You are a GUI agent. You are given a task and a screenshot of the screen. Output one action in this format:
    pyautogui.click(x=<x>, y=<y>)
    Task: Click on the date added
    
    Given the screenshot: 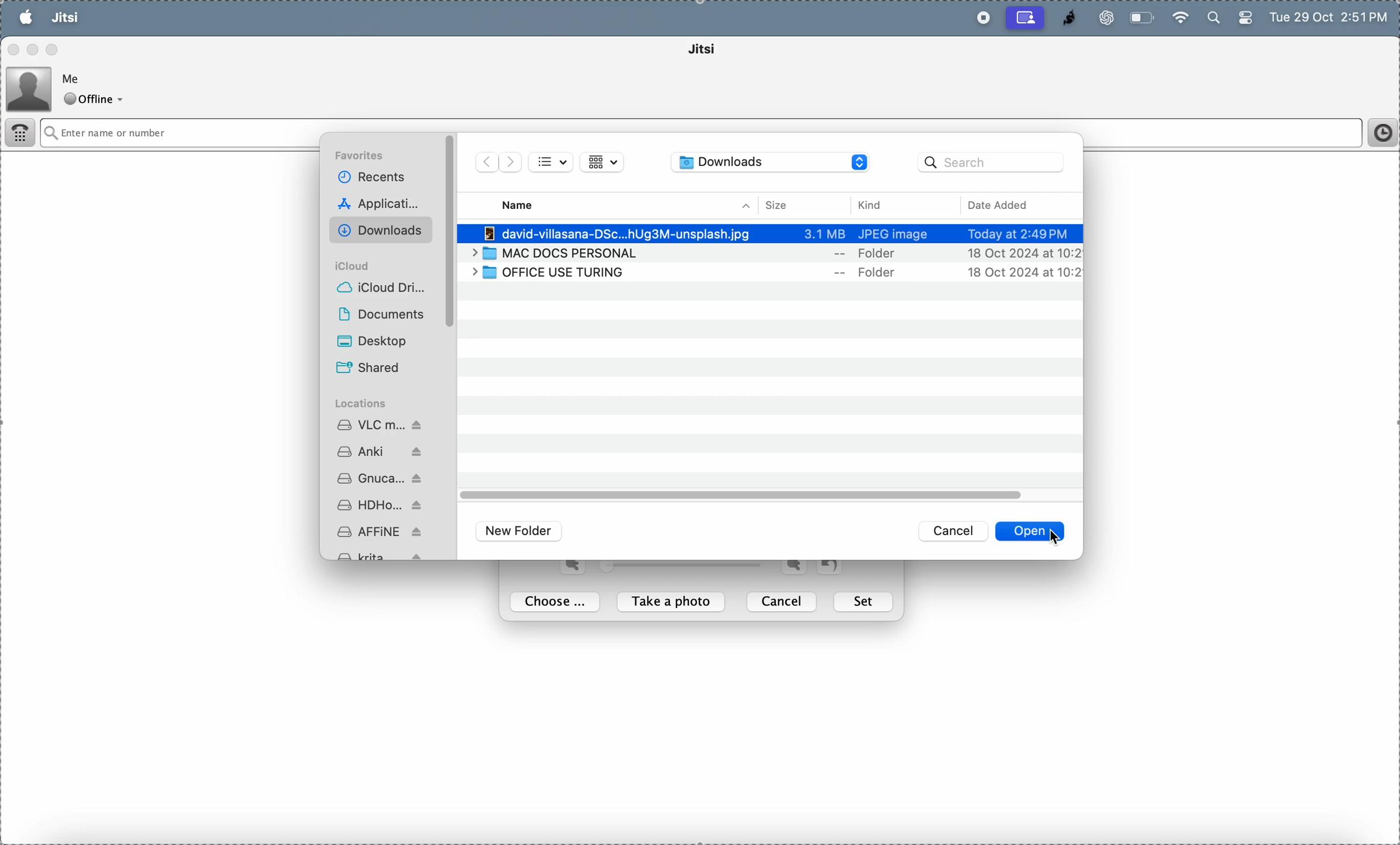 What is the action you would take?
    pyautogui.click(x=1018, y=205)
    